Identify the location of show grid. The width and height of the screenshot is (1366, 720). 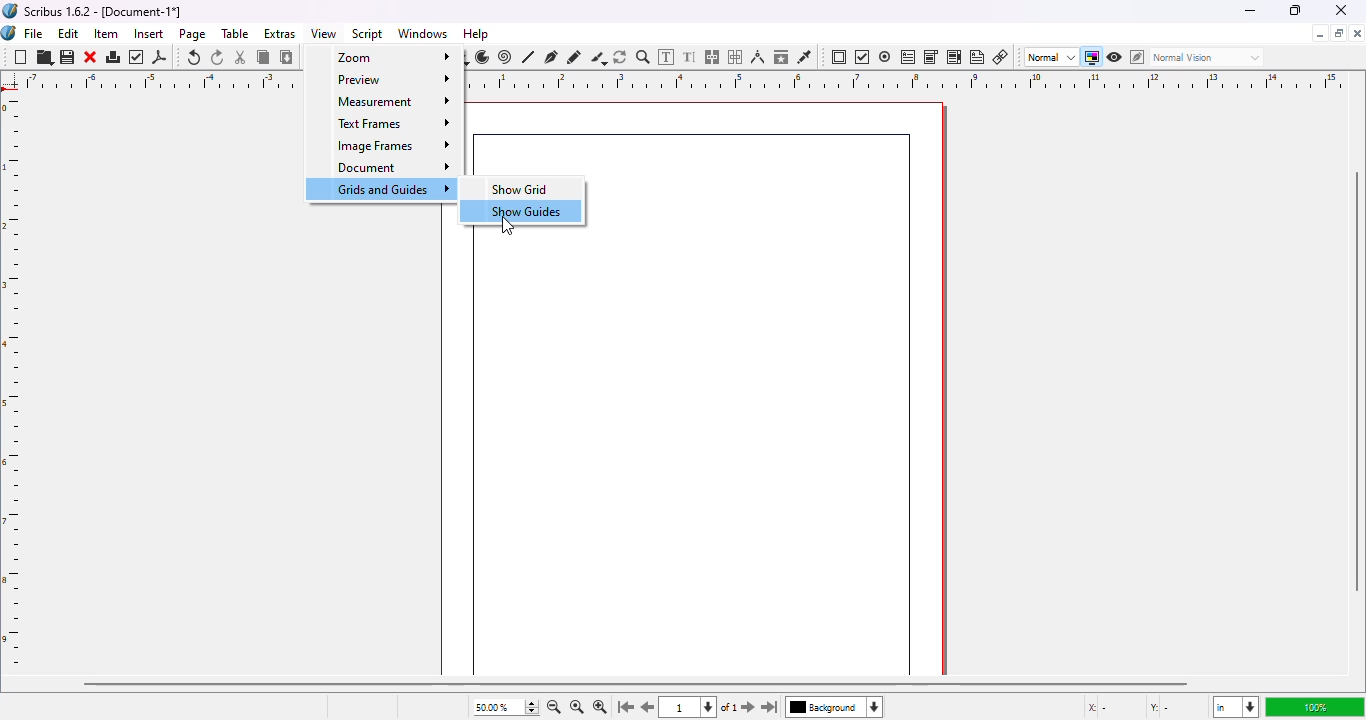
(520, 188).